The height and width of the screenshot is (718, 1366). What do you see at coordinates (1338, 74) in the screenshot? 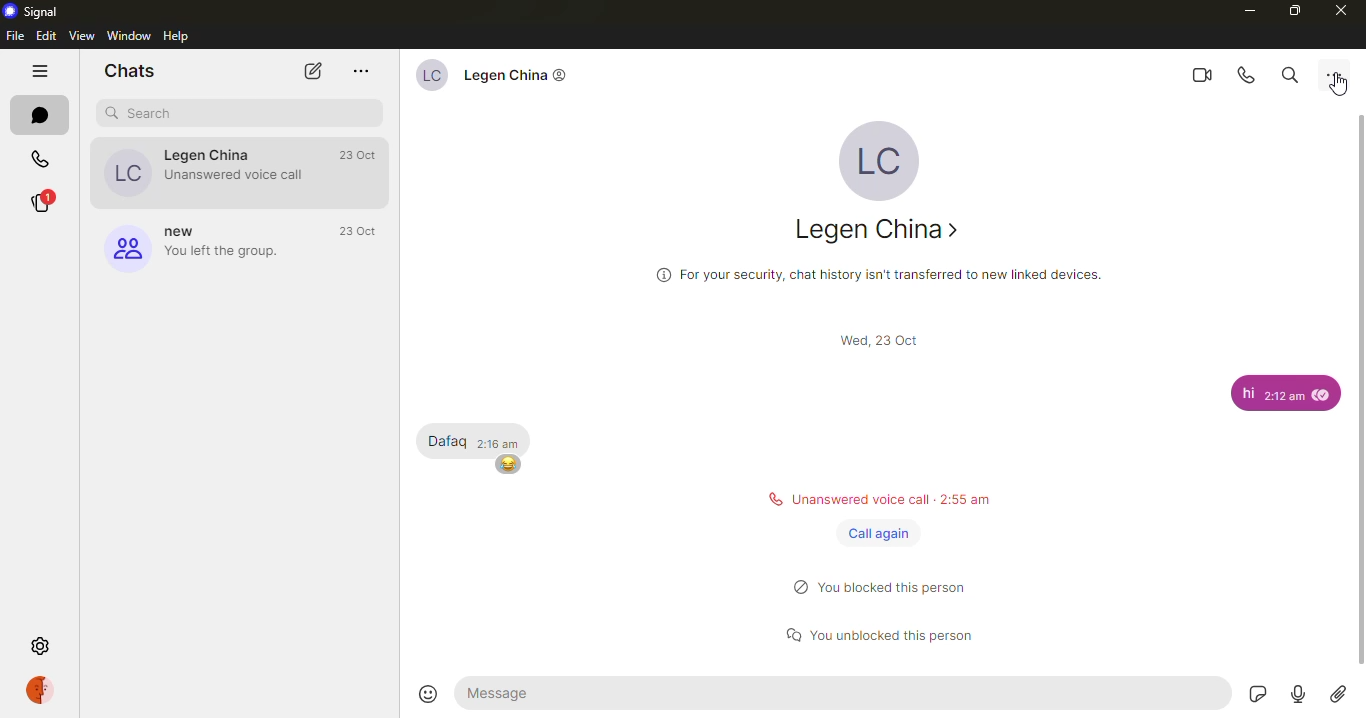
I see `more` at bounding box center [1338, 74].